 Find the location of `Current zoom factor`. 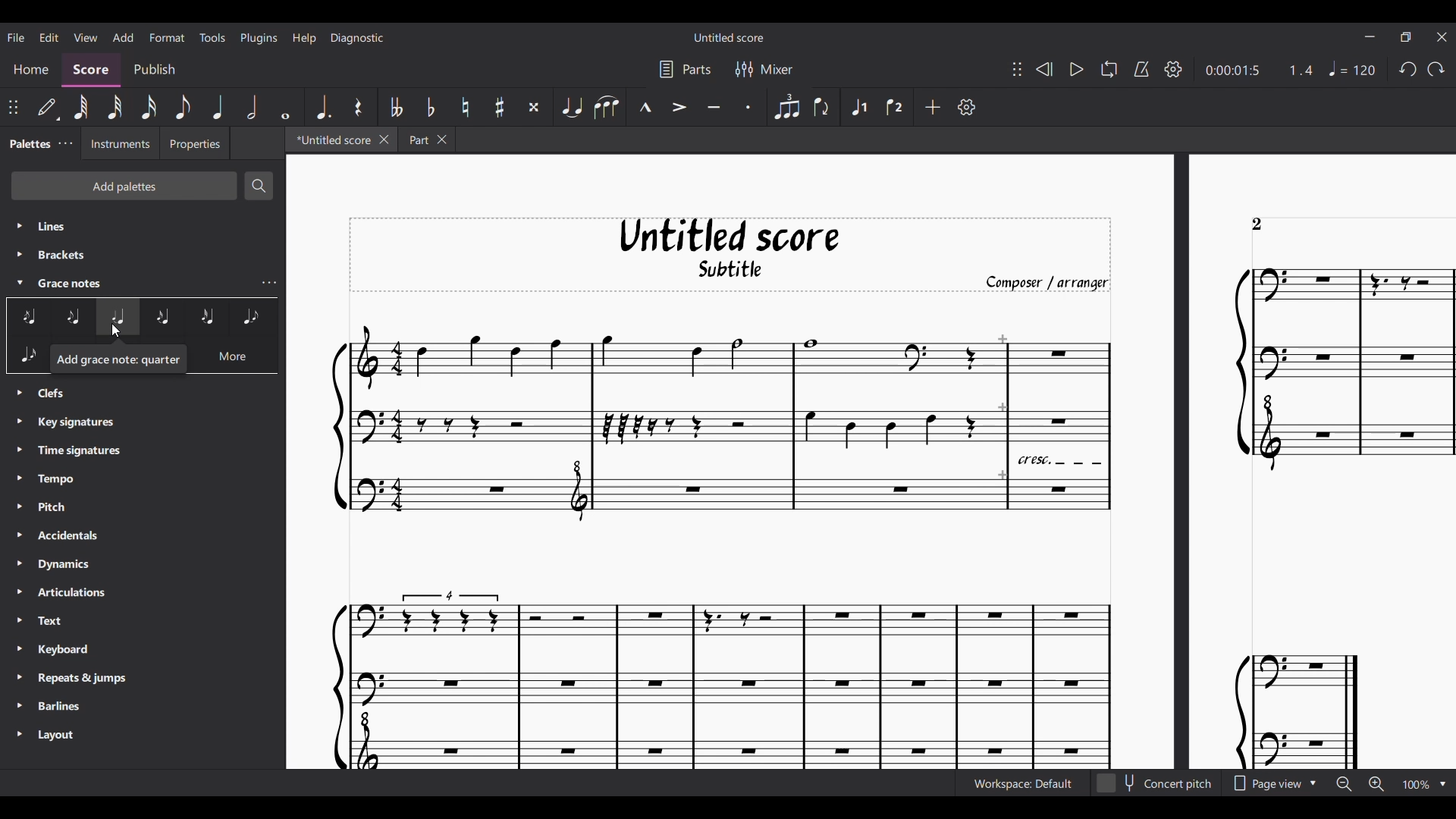

Current zoom factor is located at coordinates (1416, 784).